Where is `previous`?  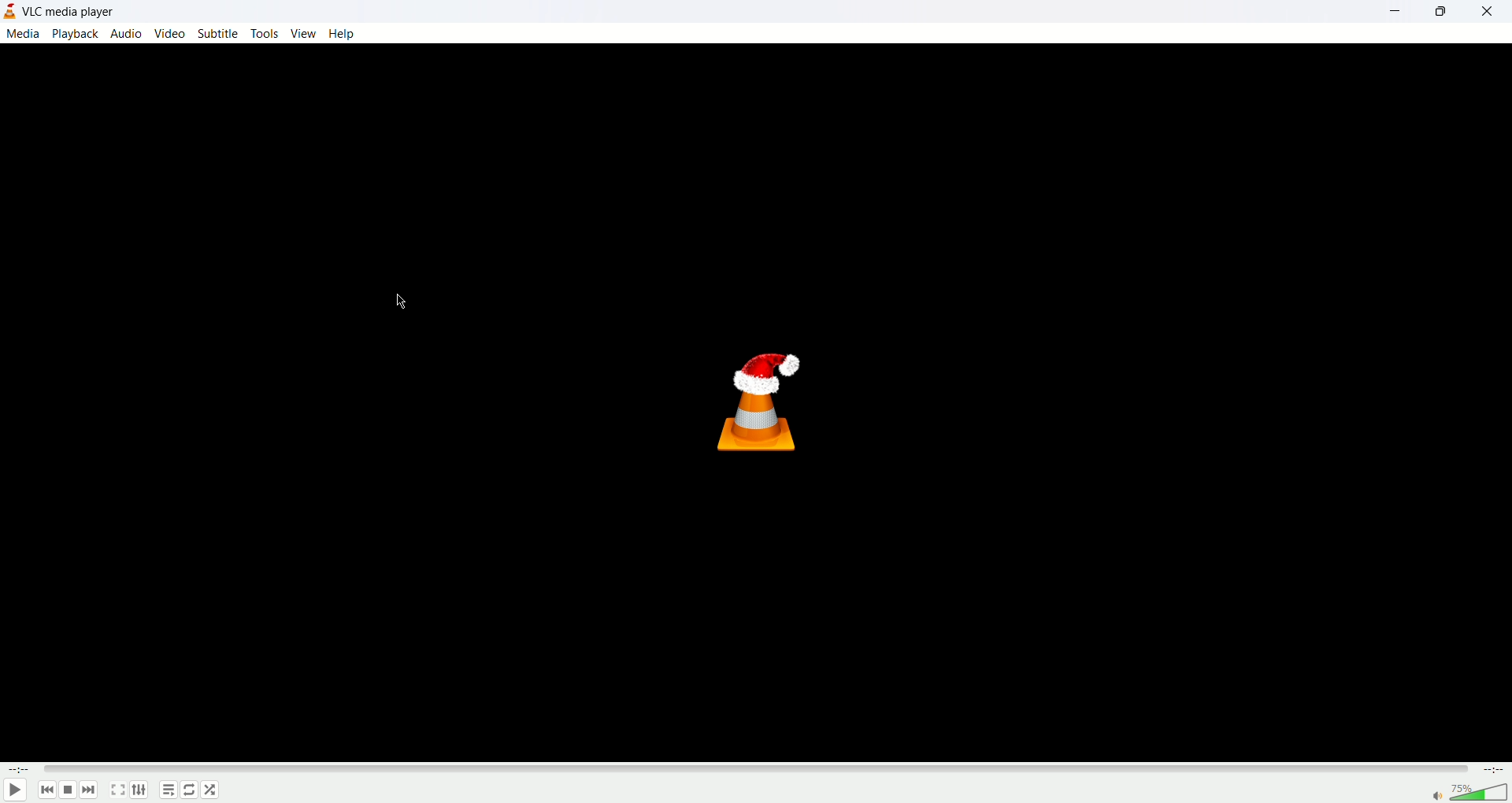
previous is located at coordinates (46, 790).